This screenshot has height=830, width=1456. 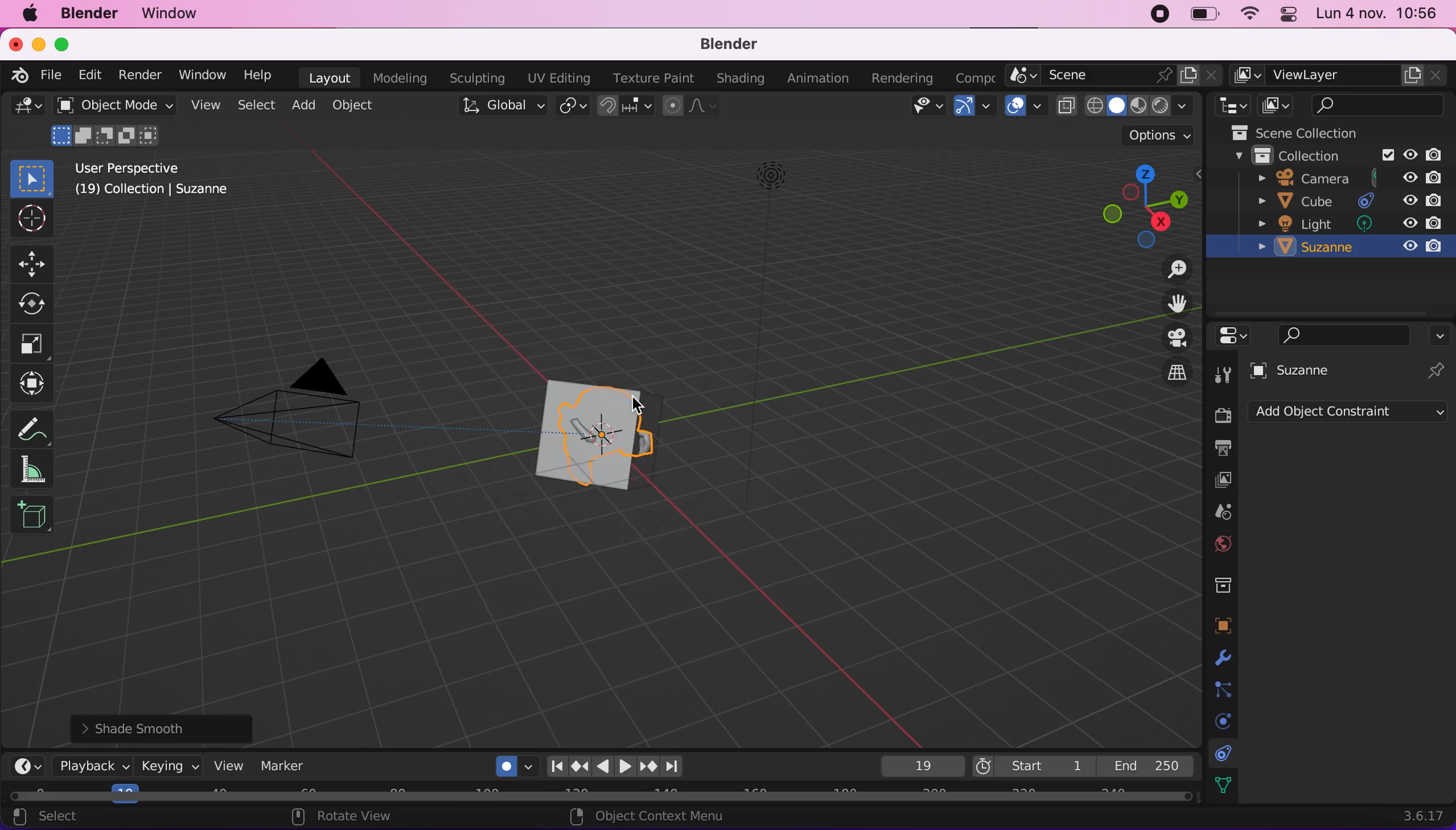 What do you see at coordinates (1306, 370) in the screenshot?
I see `suzanne` at bounding box center [1306, 370].